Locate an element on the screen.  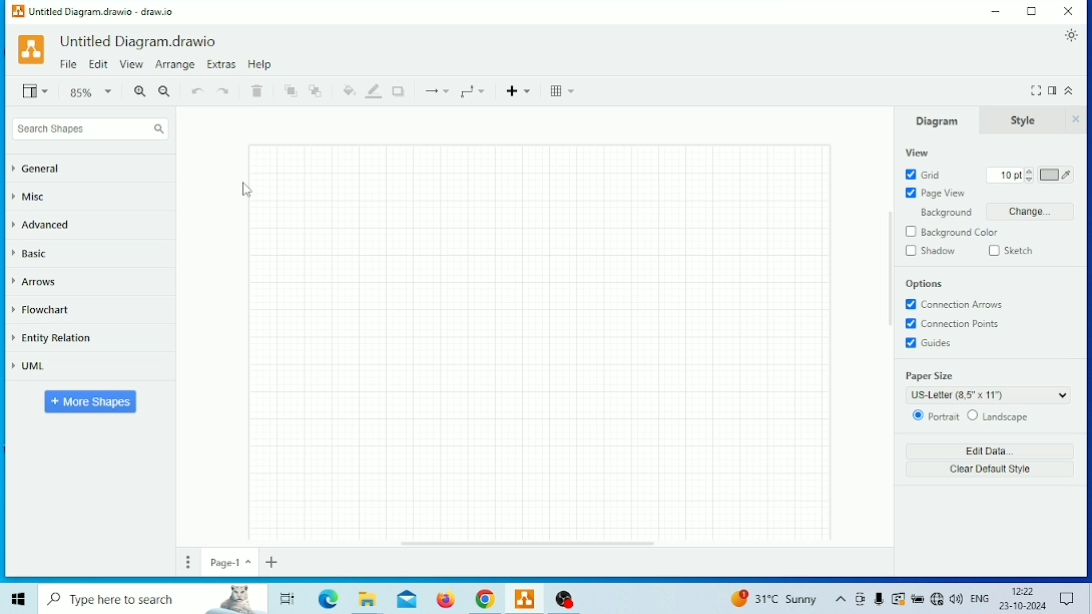
Page number is located at coordinates (230, 562).